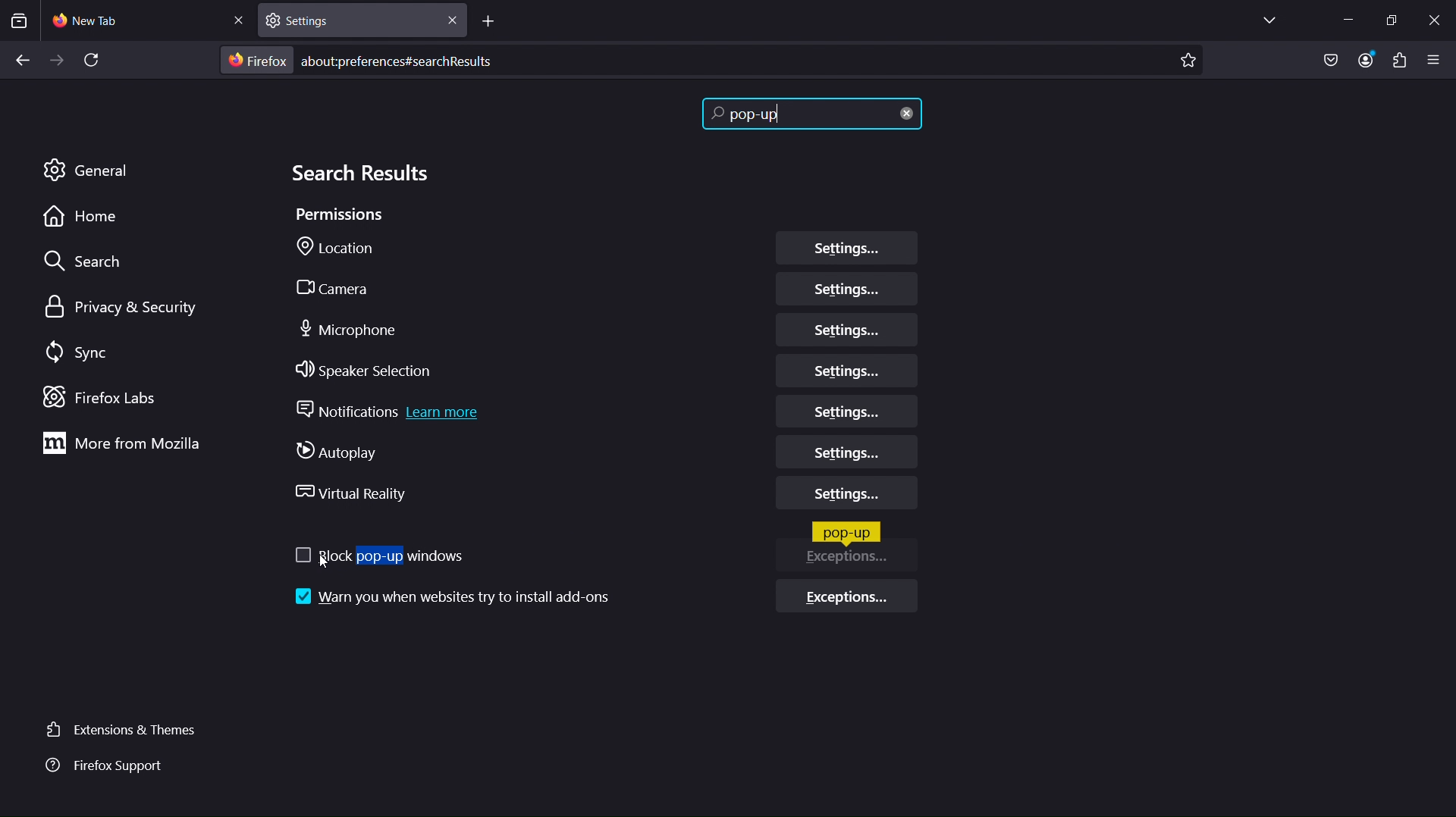 This screenshot has width=1456, height=817. What do you see at coordinates (849, 412) in the screenshot?
I see `Notifications Settings` at bounding box center [849, 412].